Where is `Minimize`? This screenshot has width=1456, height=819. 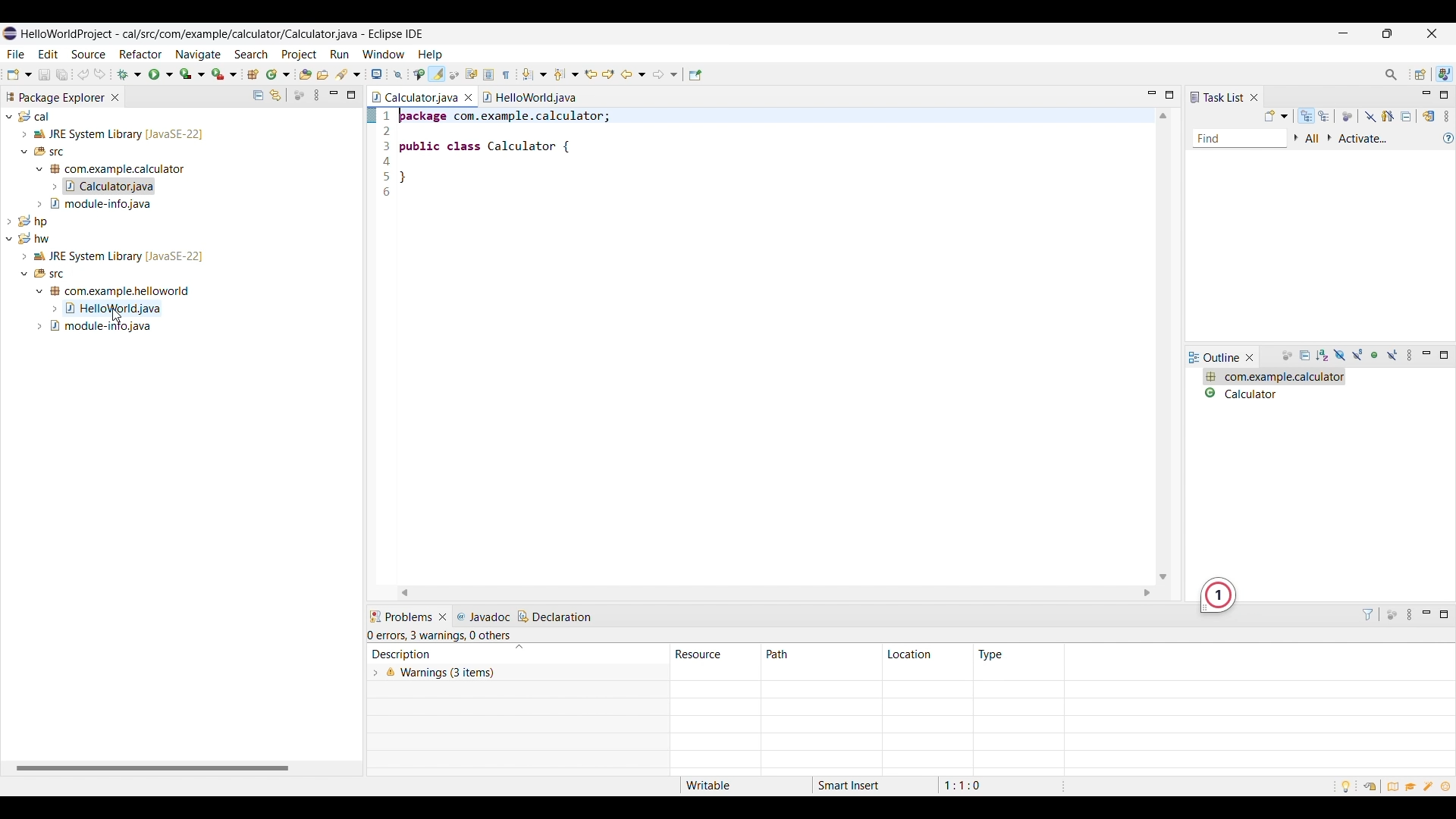 Minimize is located at coordinates (1153, 95).